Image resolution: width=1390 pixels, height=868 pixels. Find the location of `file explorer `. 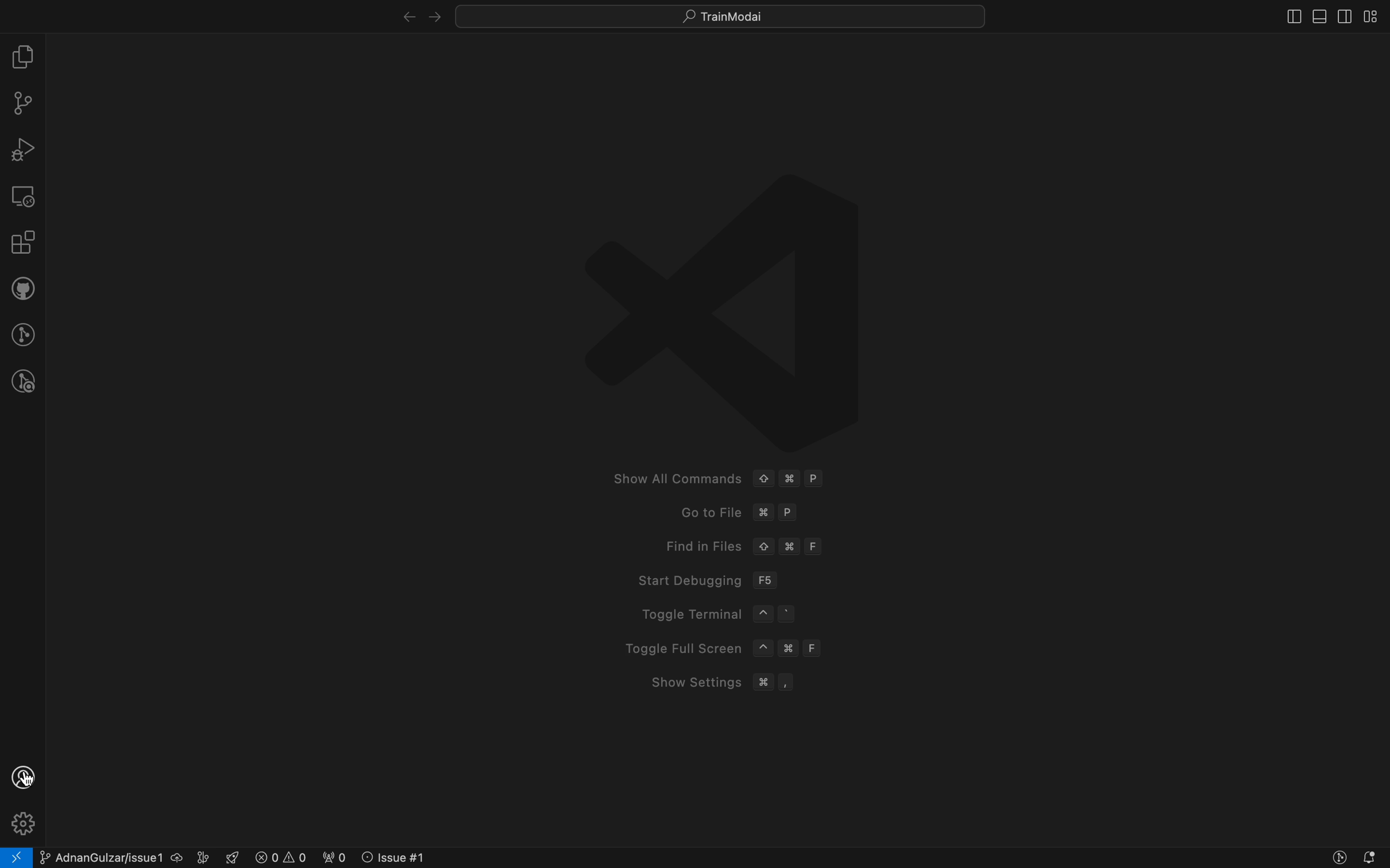

file explorer  is located at coordinates (23, 56).